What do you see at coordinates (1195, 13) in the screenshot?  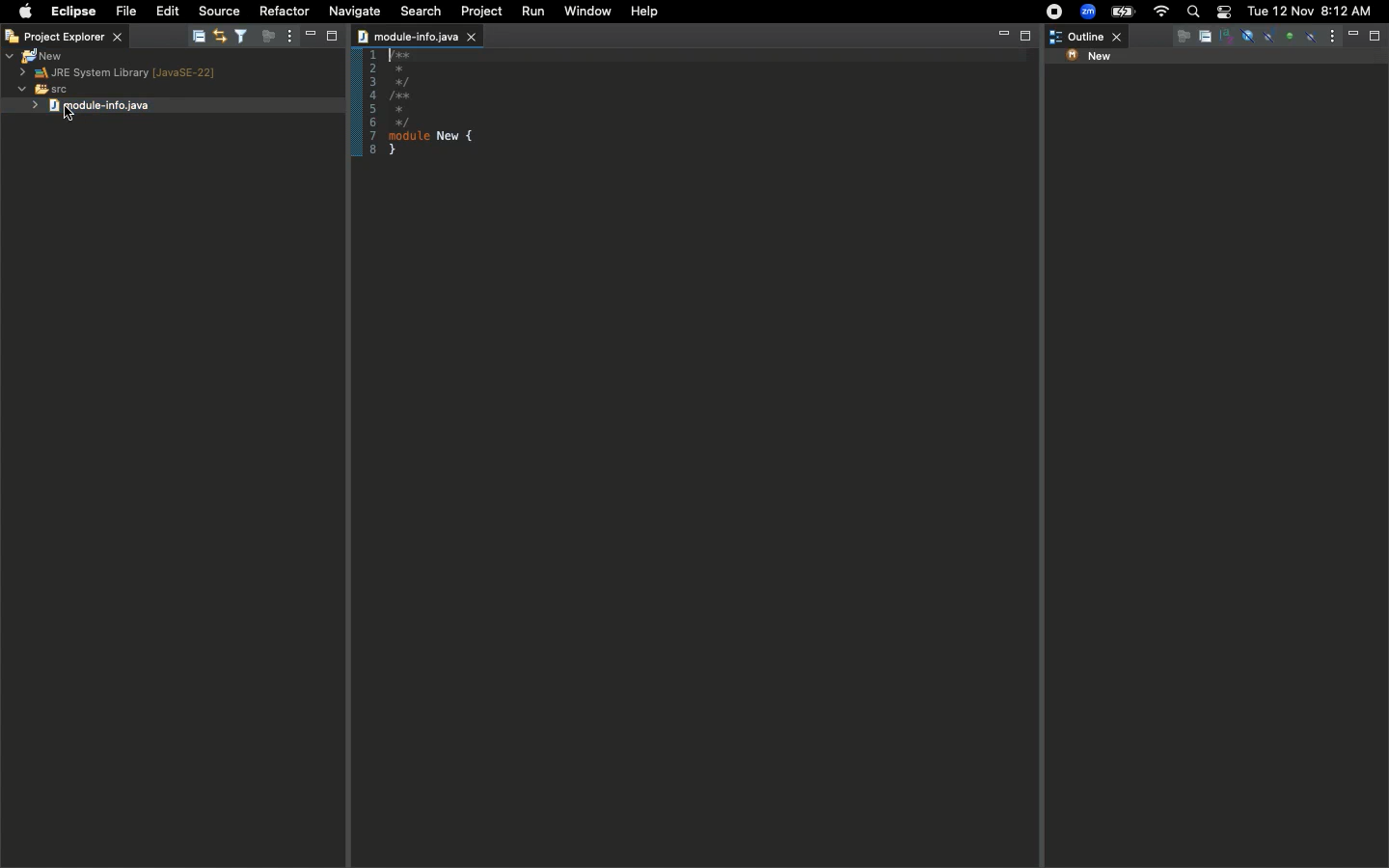 I see `Search` at bounding box center [1195, 13].